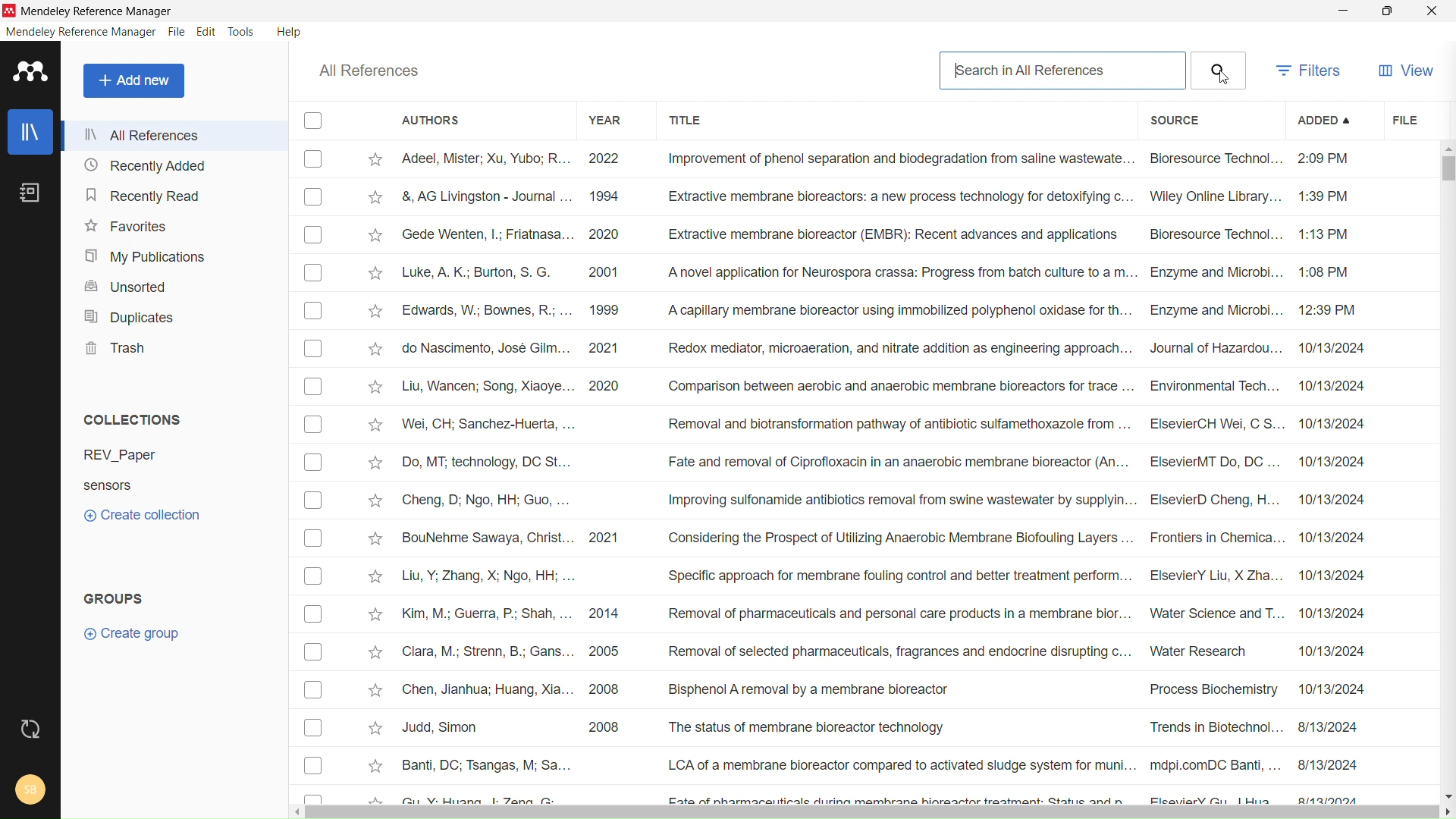  What do you see at coordinates (290, 33) in the screenshot?
I see `help` at bounding box center [290, 33].